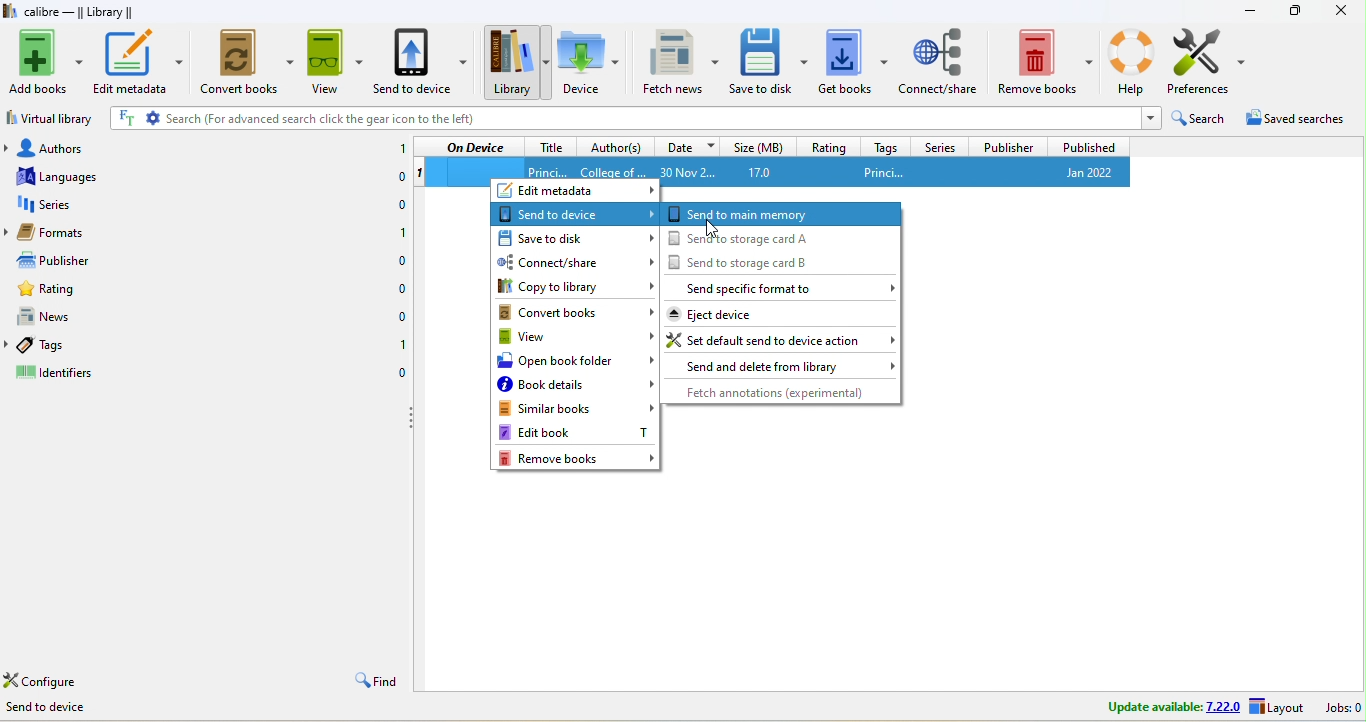  What do you see at coordinates (1046, 59) in the screenshot?
I see `remove books` at bounding box center [1046, 59].